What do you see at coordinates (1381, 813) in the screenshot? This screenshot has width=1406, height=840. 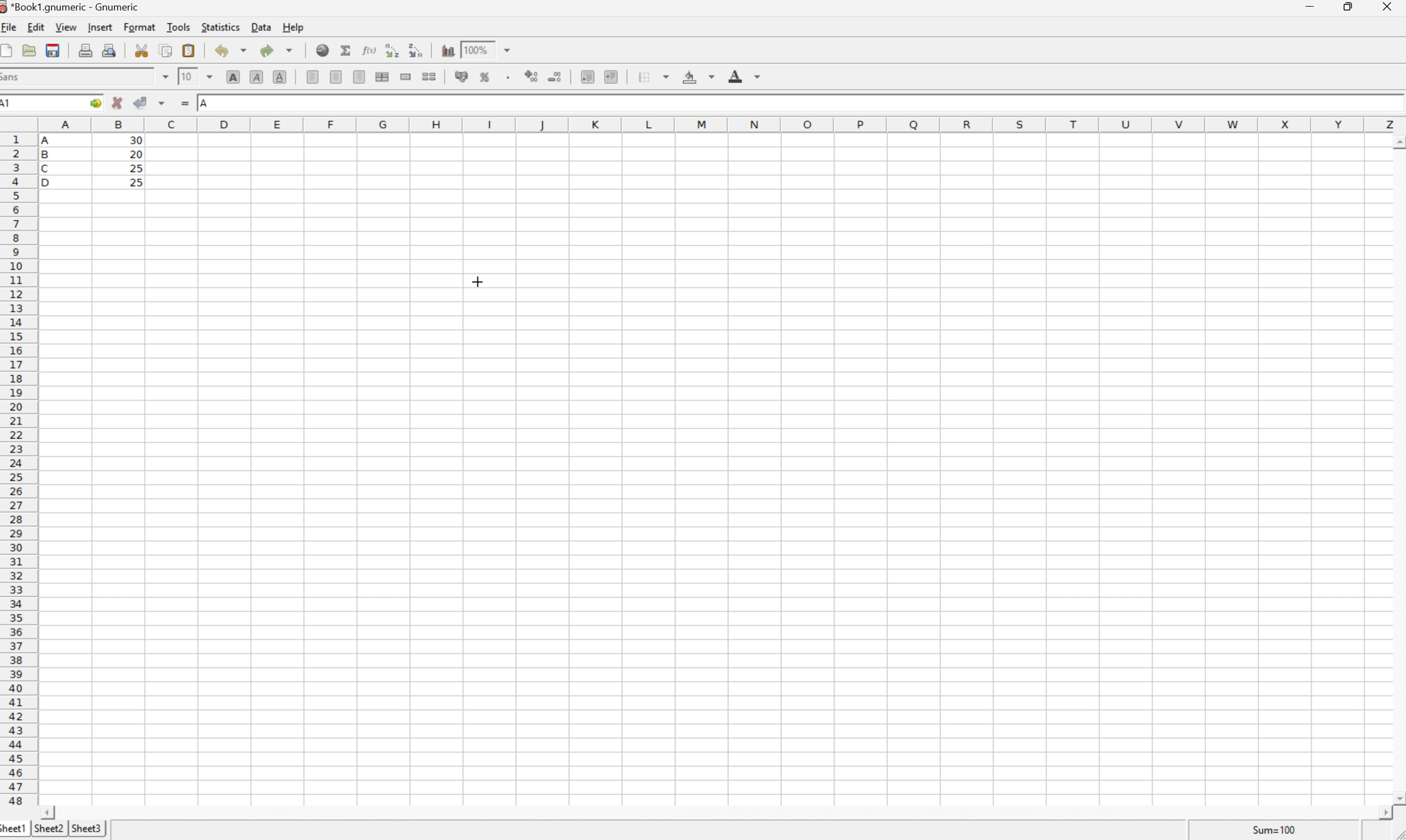 I see `Scroll Right` at bounding box center [1381, 813].